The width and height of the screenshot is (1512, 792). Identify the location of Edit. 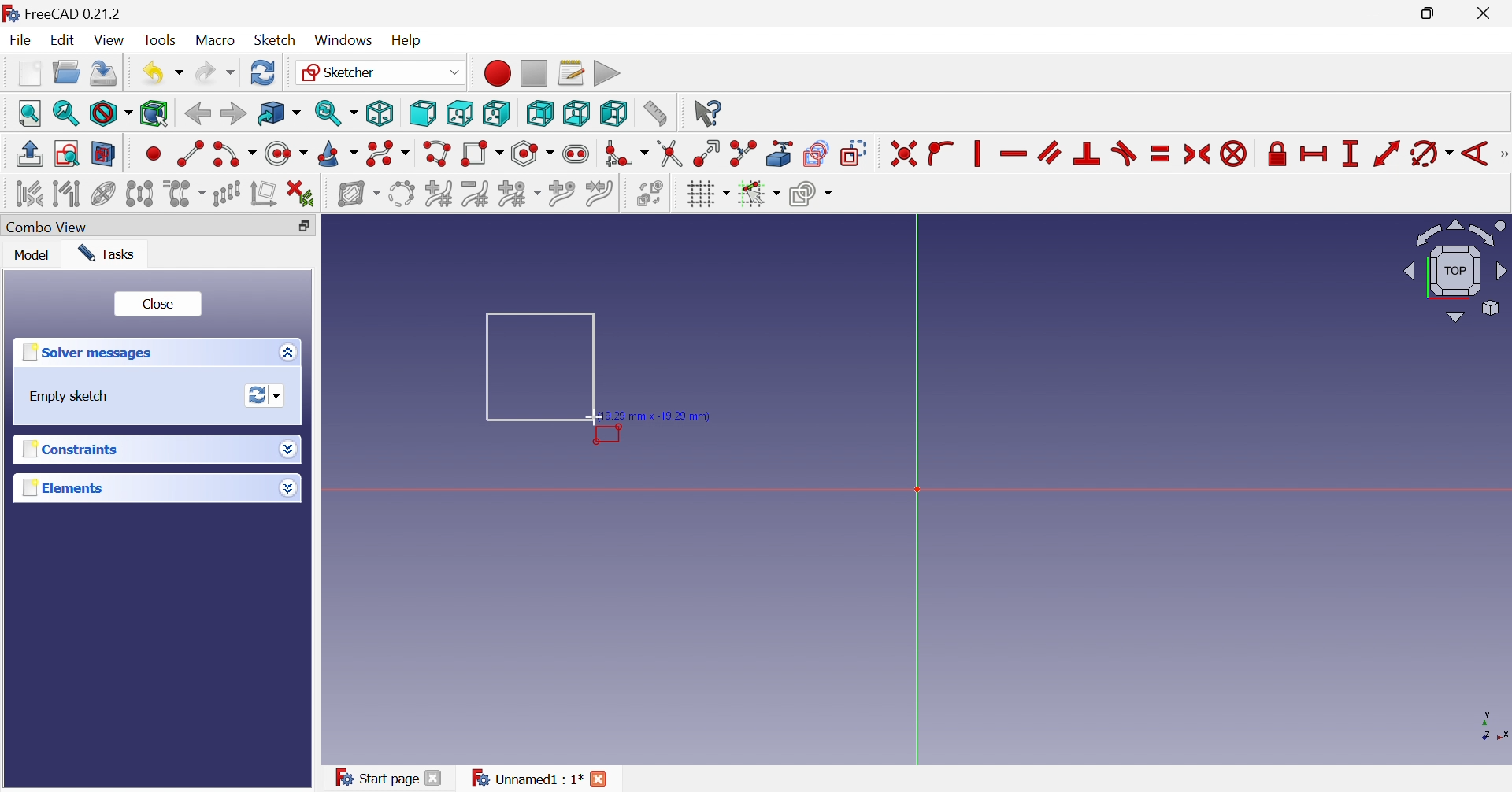
(65, 40).